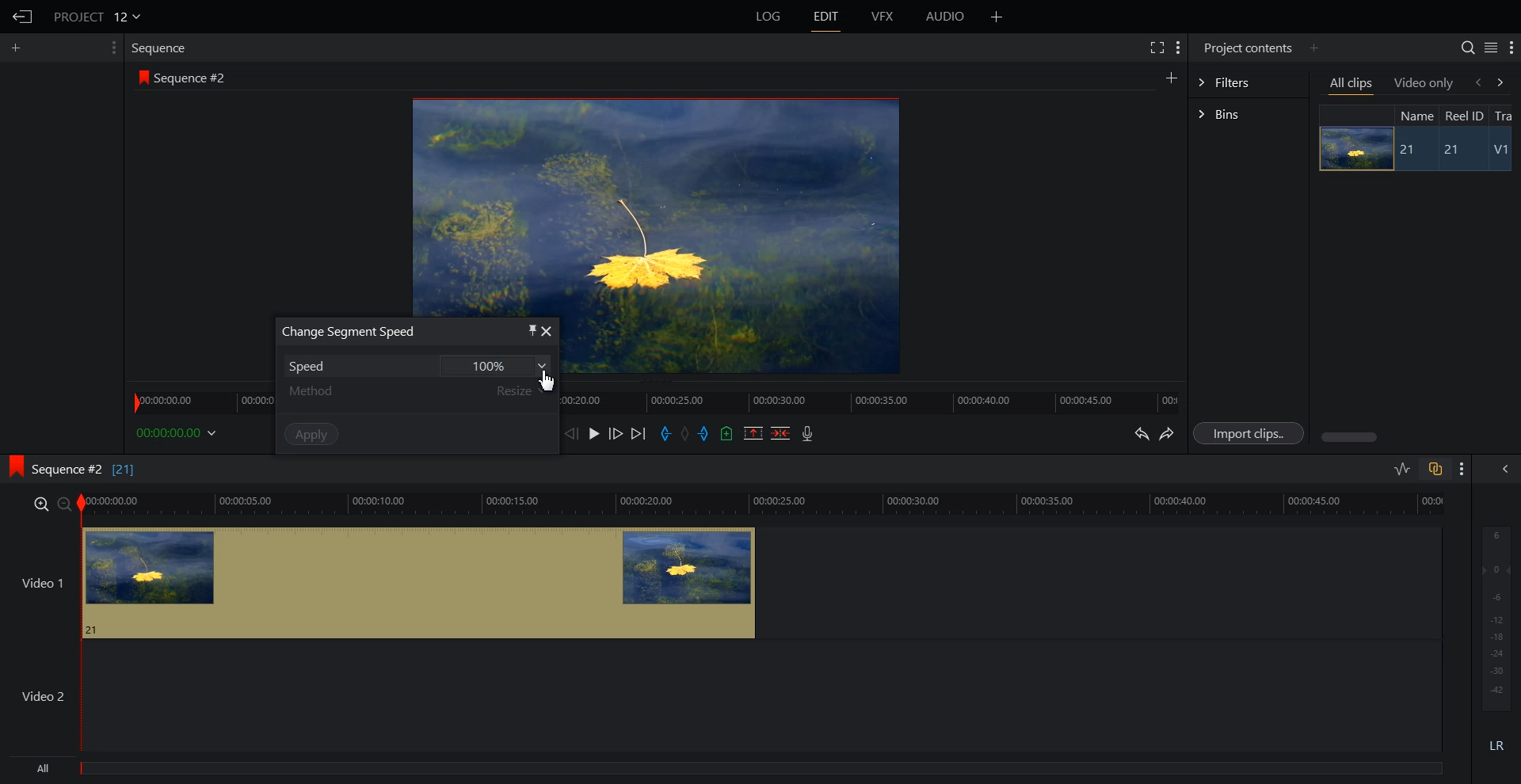 The image size is (1521, 784). What do you see at coordinates (1171, 77) in the screenshot?
I see `Add panel` at bounding box center [1171, 77].